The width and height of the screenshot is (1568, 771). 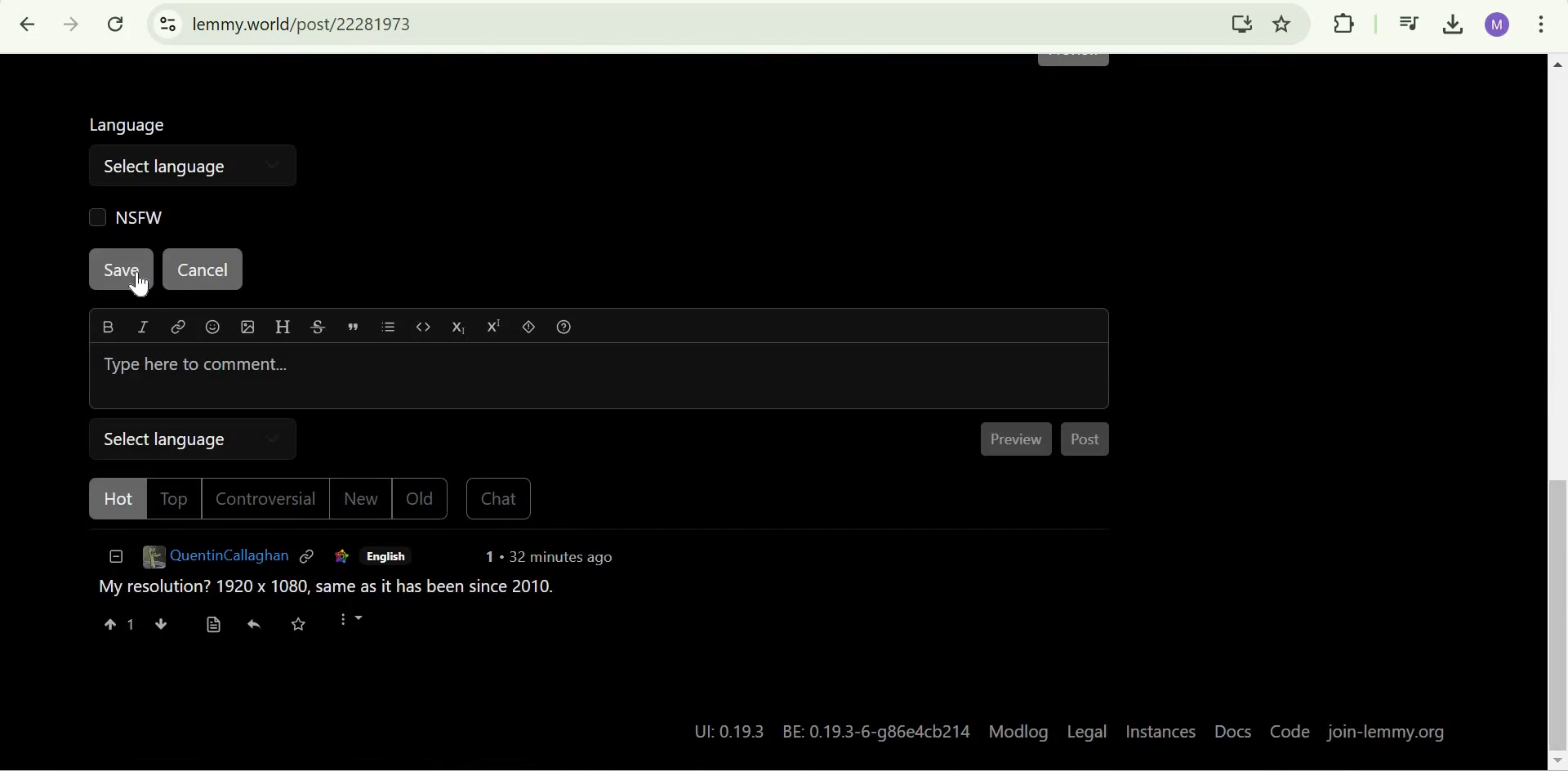 What do you see at coordinates (497, 501) in the screenshot?
I see `Chat` at bounding box center [497, 501].